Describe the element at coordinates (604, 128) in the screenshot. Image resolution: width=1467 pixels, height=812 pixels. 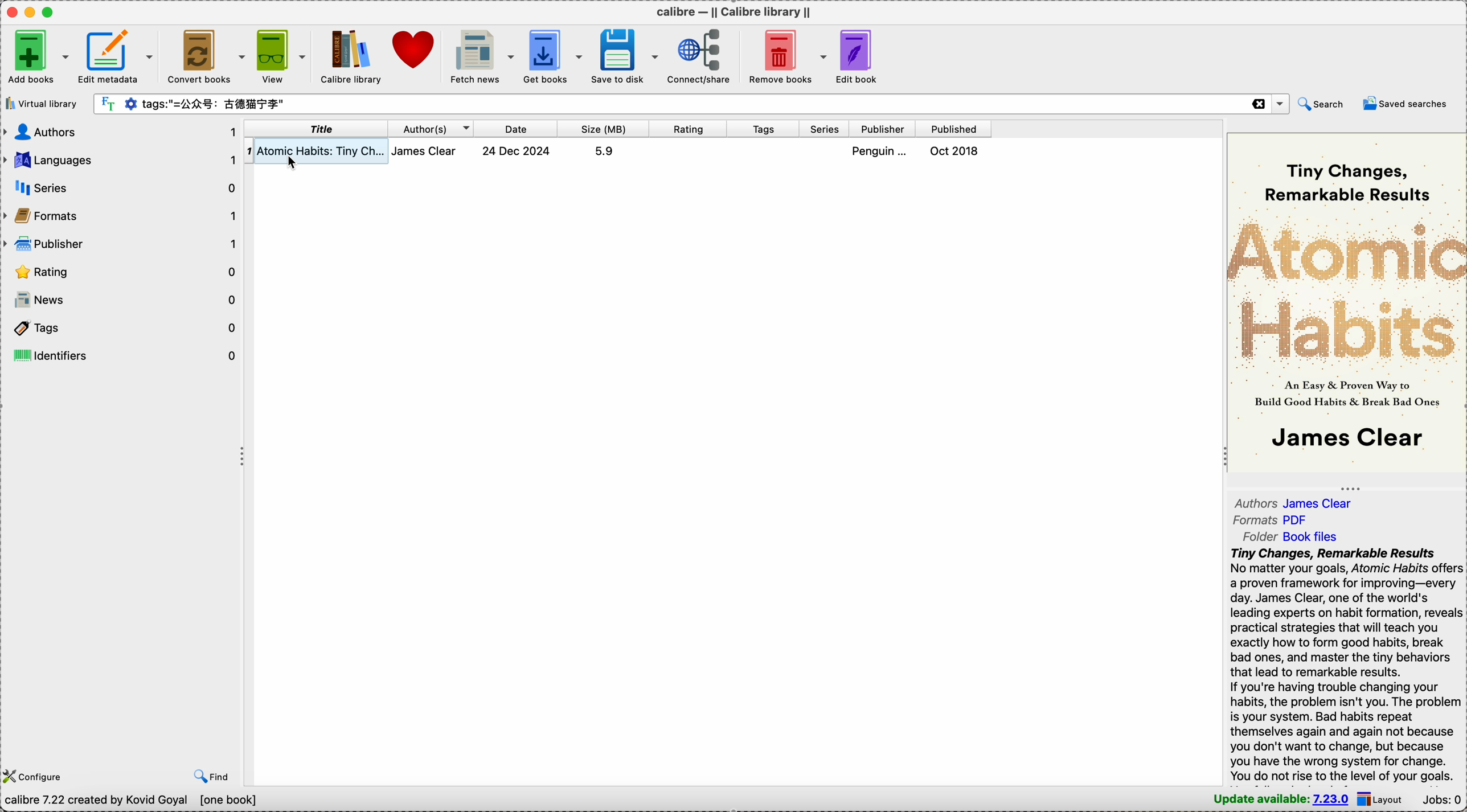
I see `size` at that location.